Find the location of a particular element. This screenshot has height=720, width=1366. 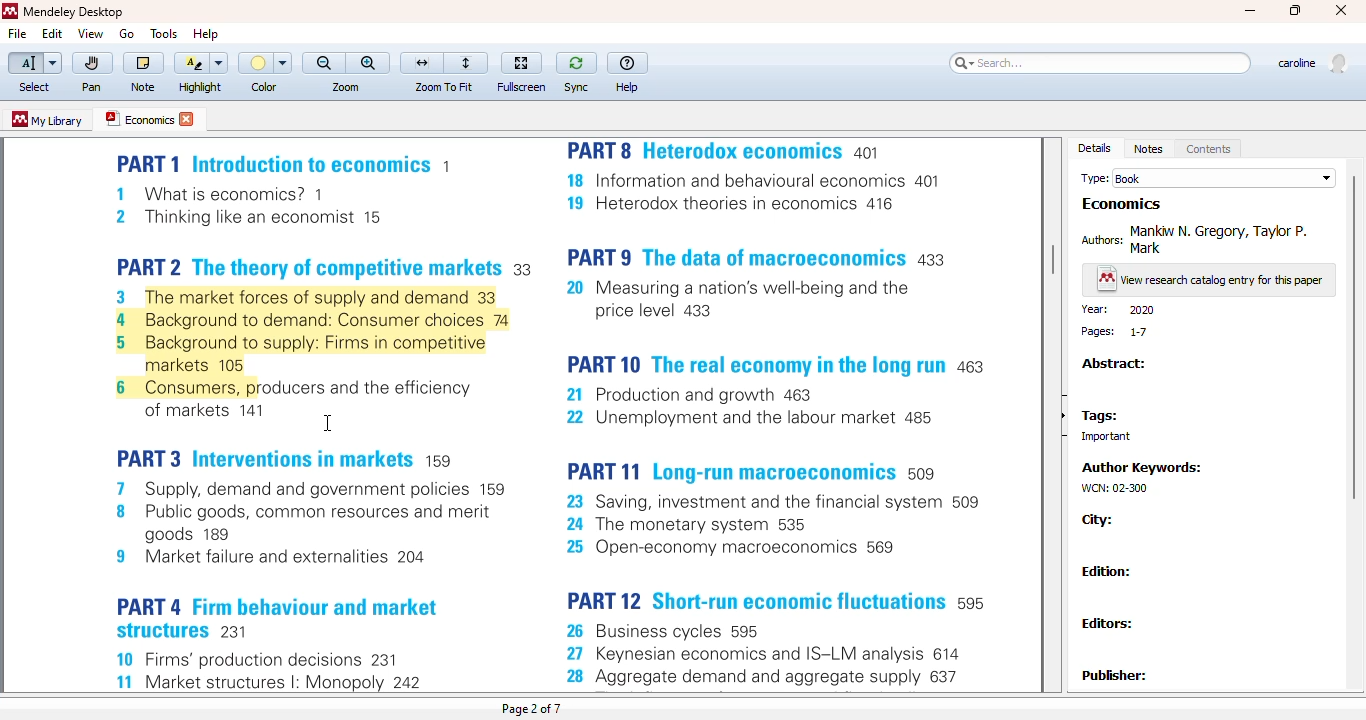

go is located at coordinates (126, 34).